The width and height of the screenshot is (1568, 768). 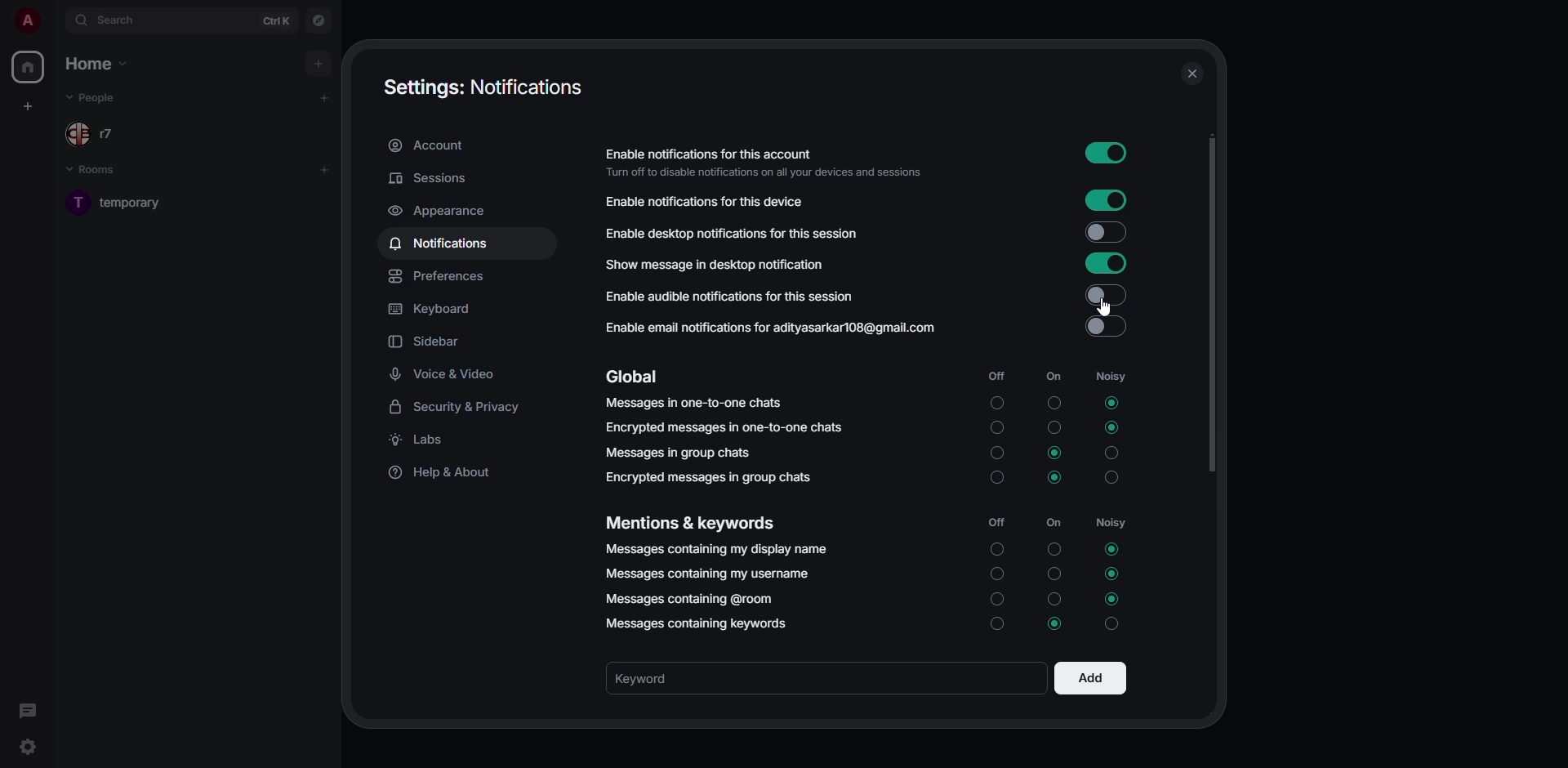 I want to click on notifications, so click(x=443, y=242).